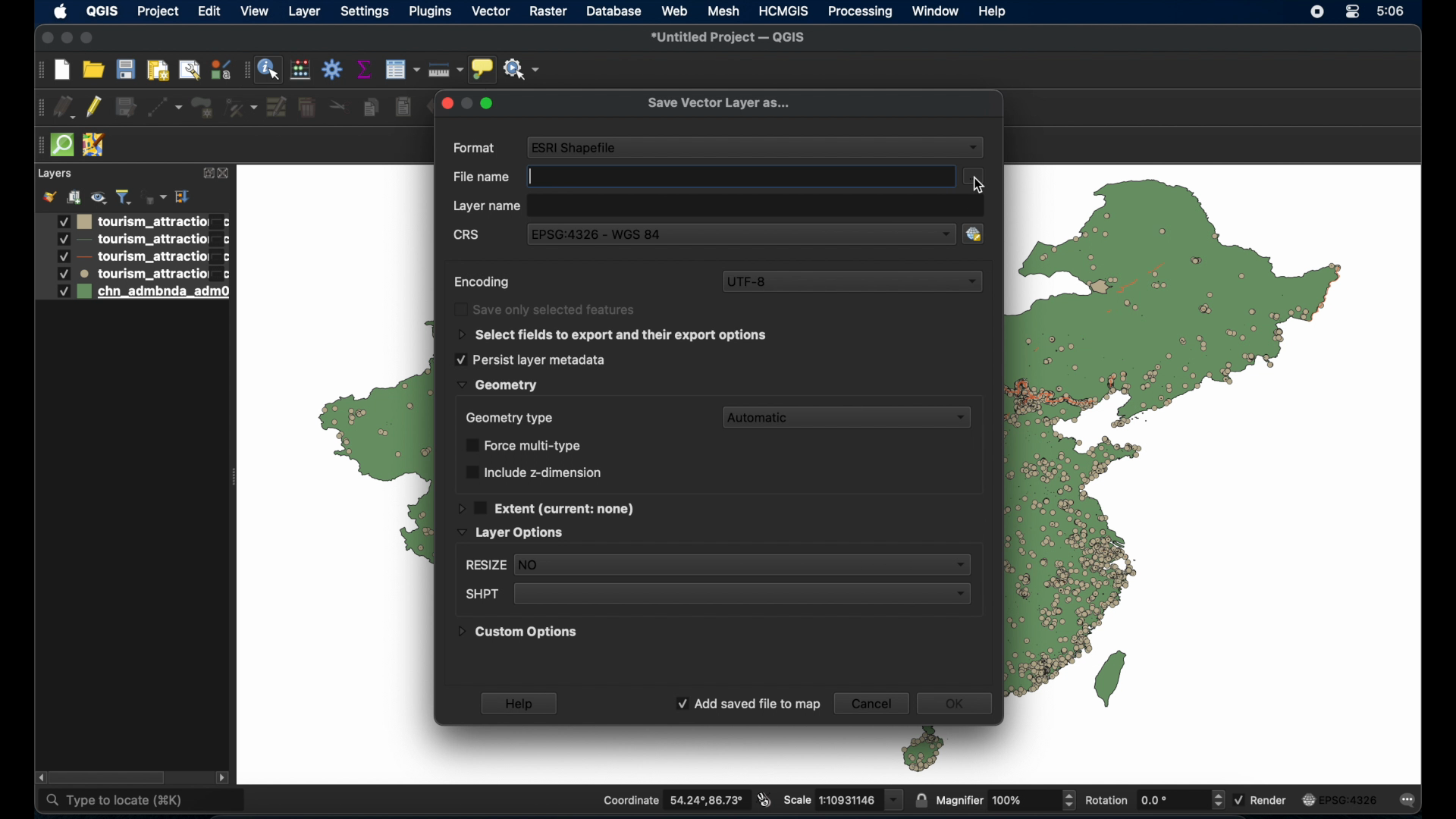 The image size is (1456, 819). I want to click on new project, so click(61, 70).